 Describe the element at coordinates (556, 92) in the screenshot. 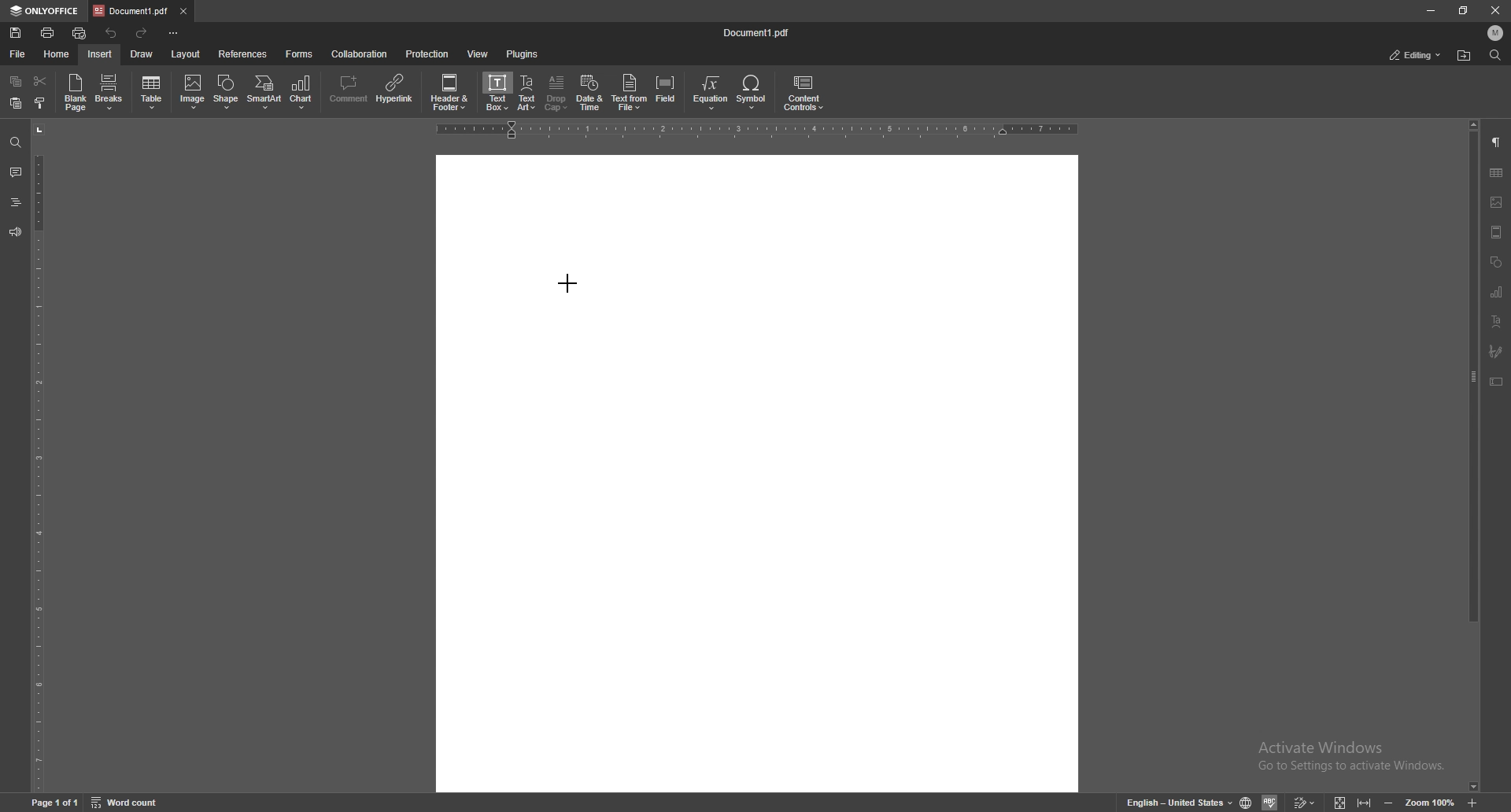

I see `drop cap` at that location.